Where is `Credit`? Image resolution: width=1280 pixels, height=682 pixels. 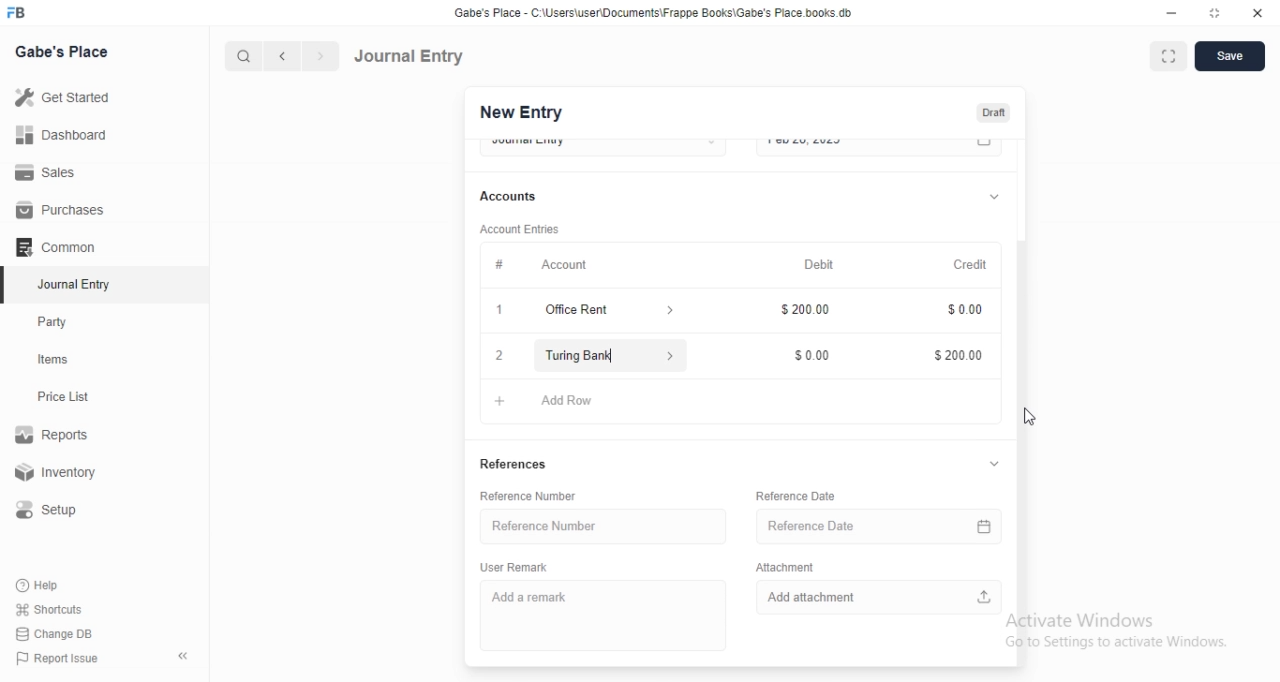 Credit is located at coordinates (970, 264).